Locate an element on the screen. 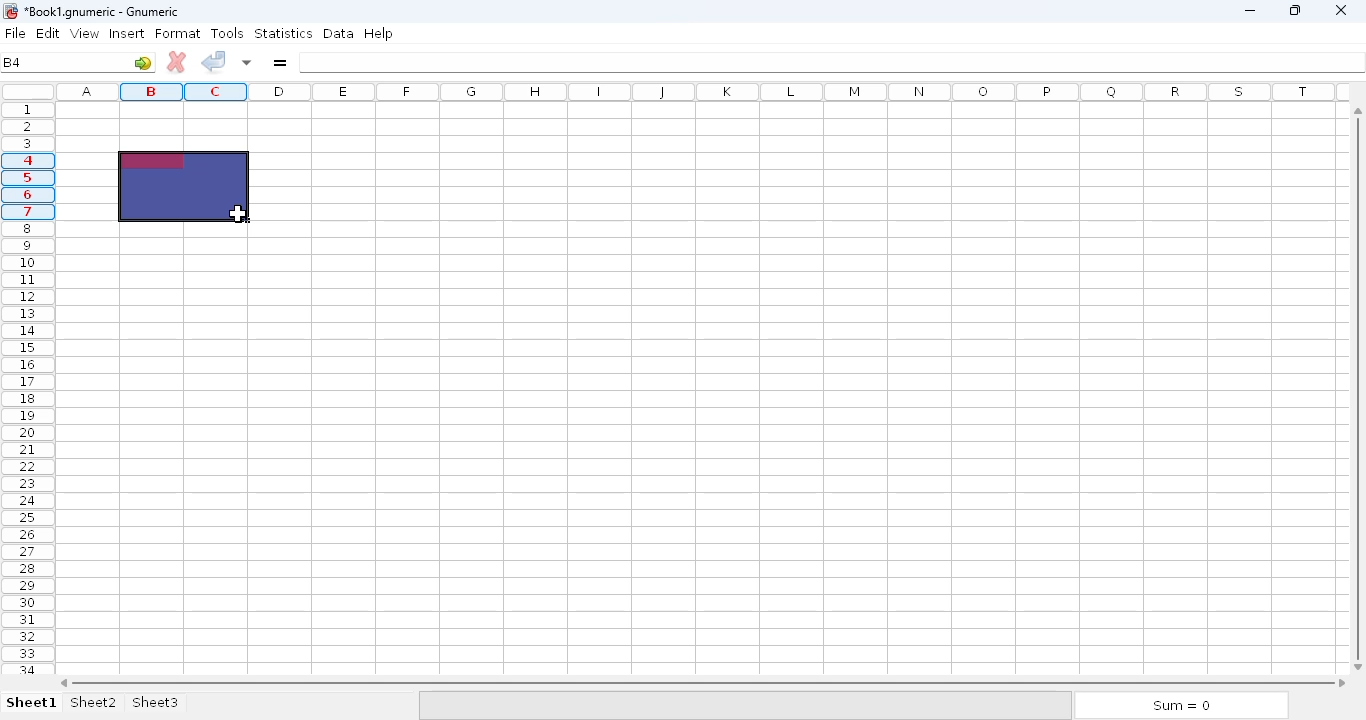 Image resolution: width=1366 pixels, height=720 pixels. format is located at coordinates (178, 33).